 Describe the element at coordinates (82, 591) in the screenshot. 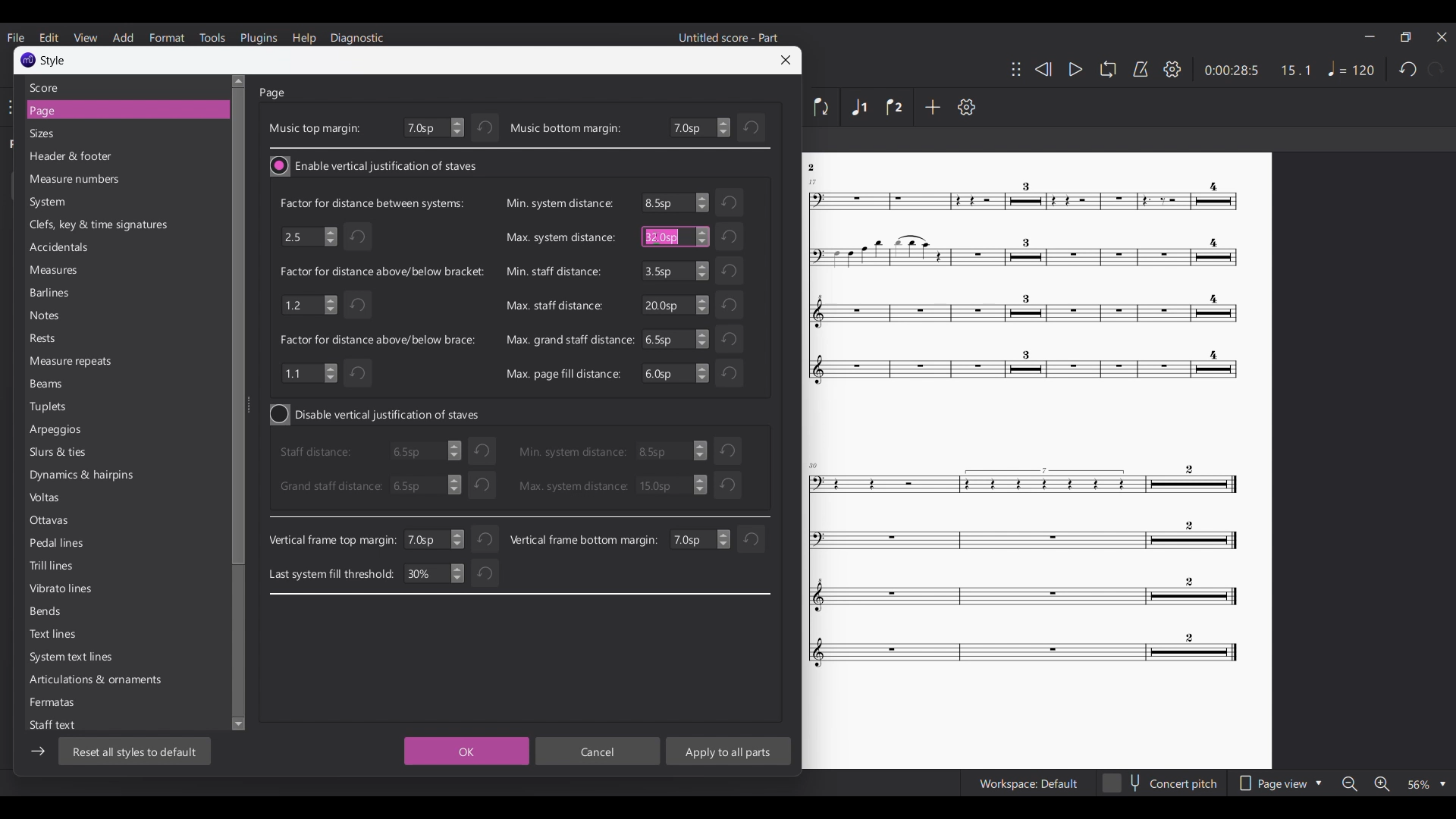

I see `Vibrato lines` at that location.